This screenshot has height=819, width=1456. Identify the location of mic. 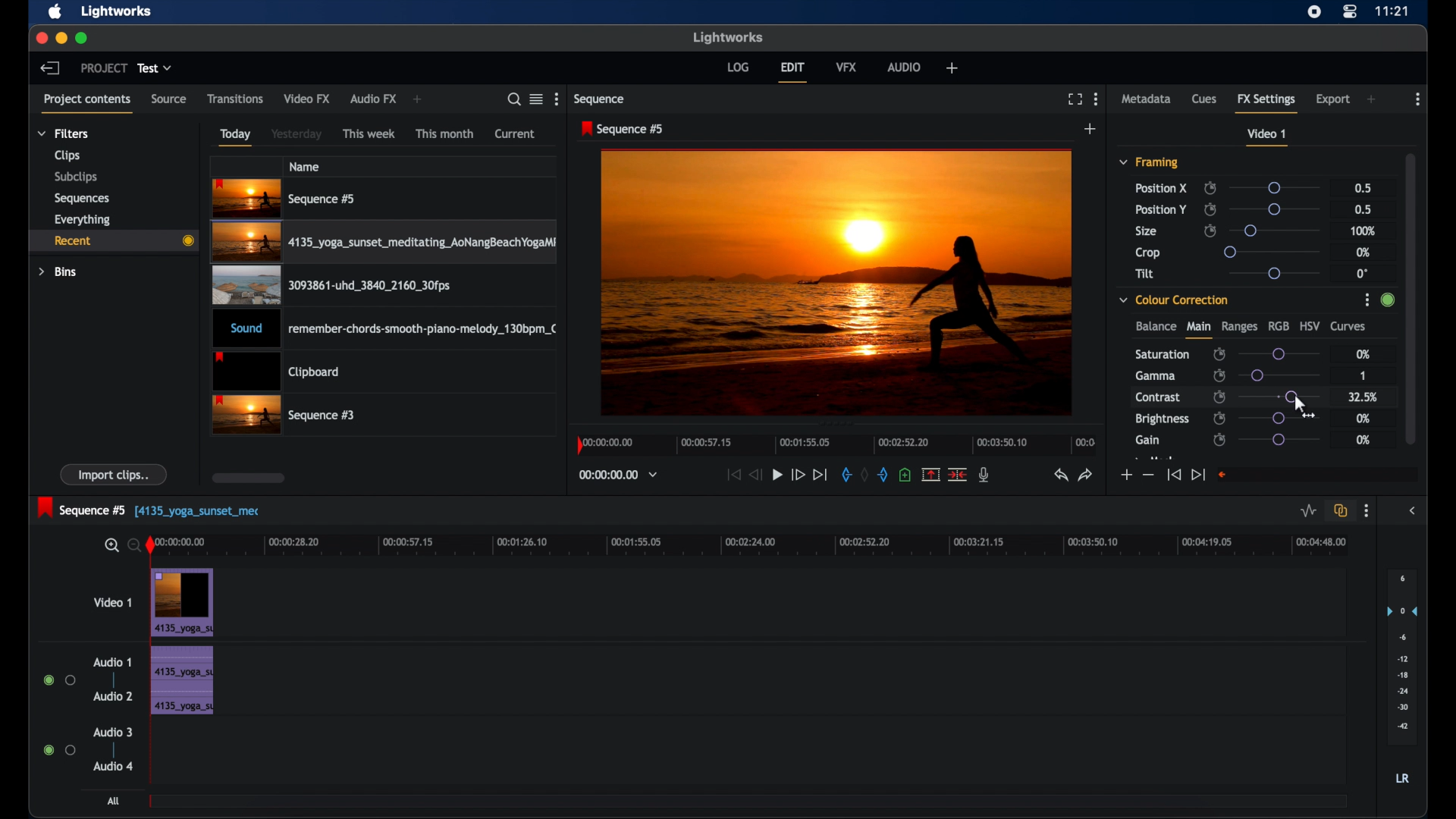
(984, 474).